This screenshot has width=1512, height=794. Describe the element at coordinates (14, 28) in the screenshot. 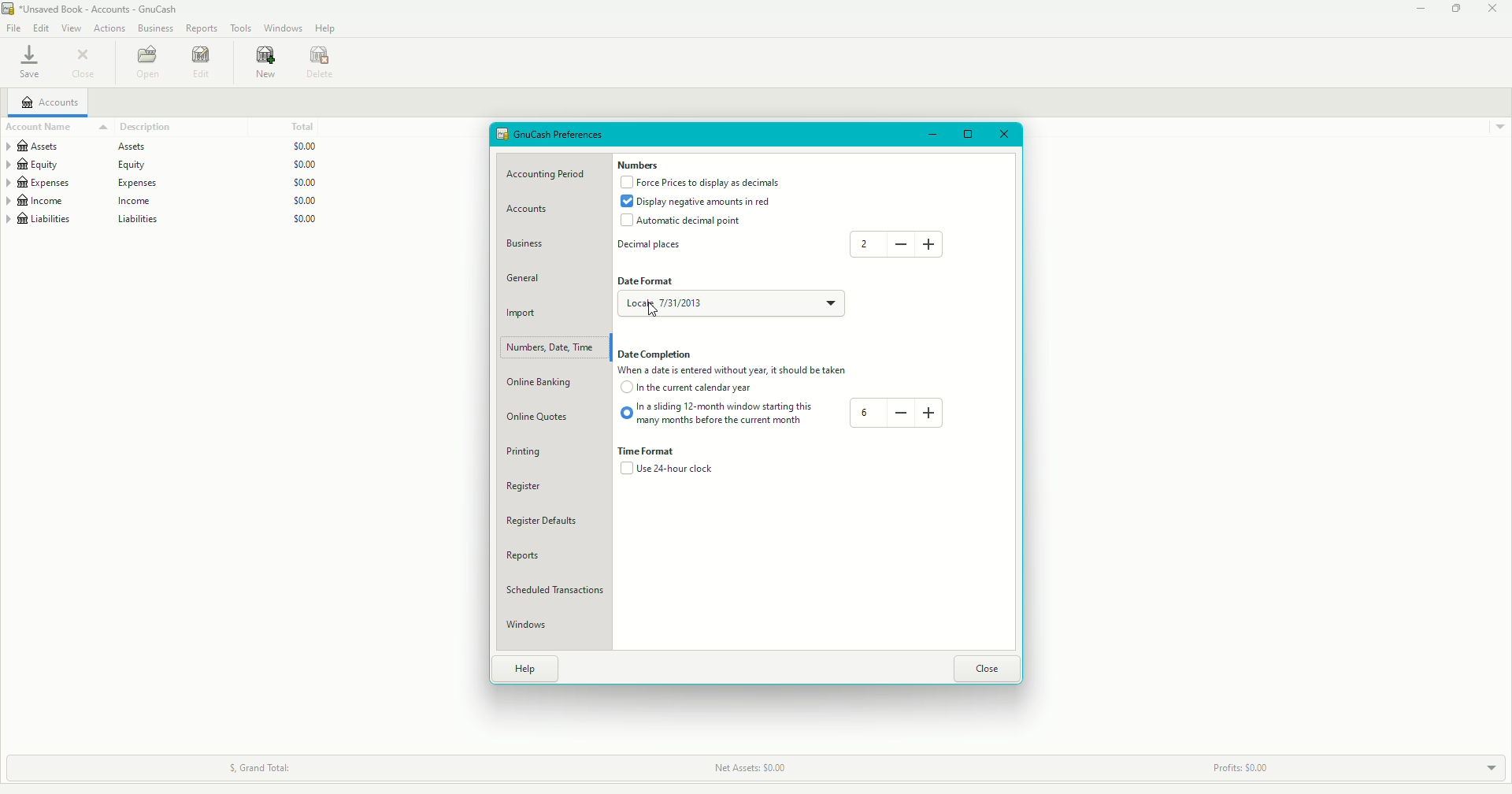

I see `File` at that location.